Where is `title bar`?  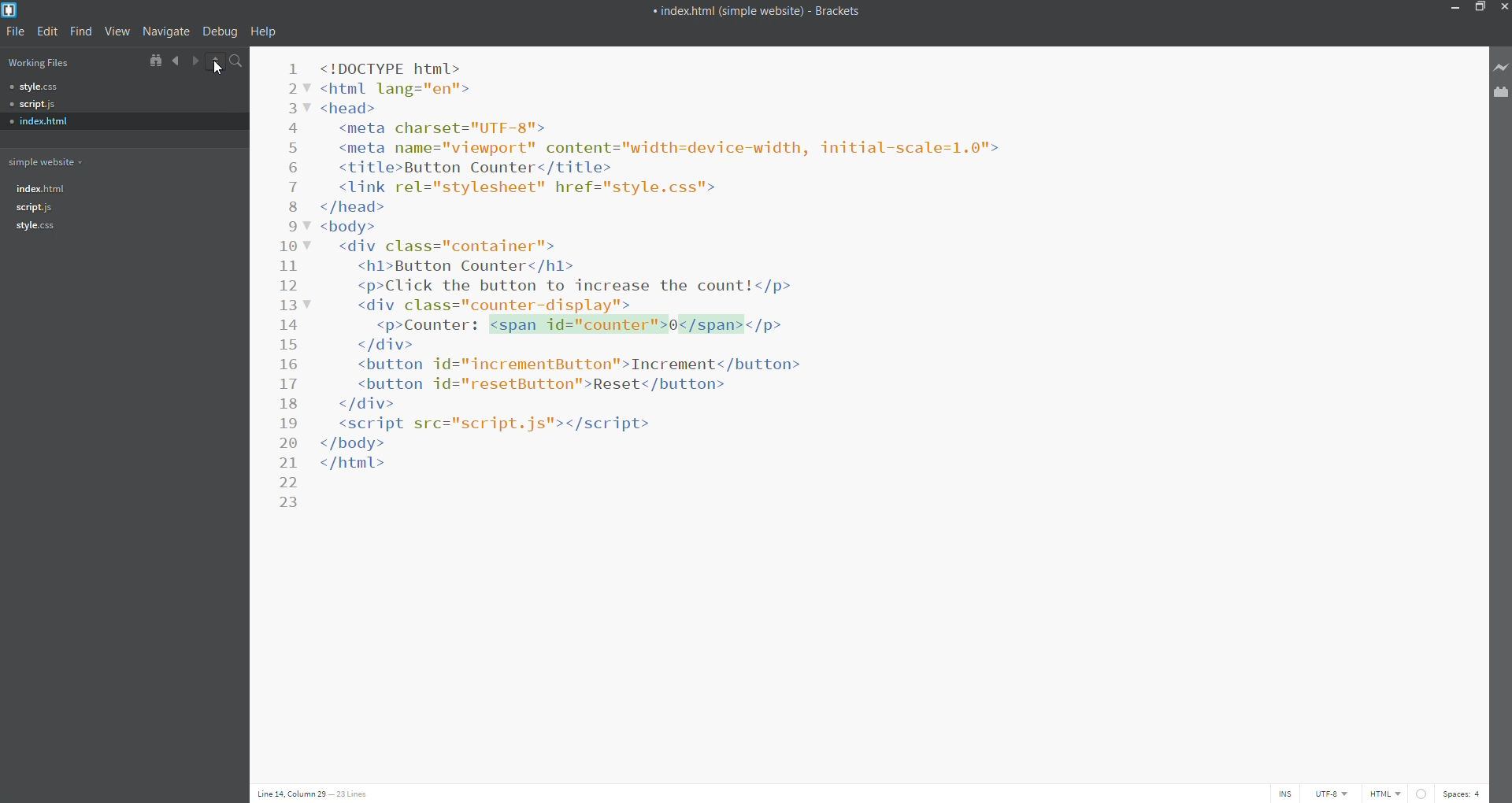 title bar is located at coordinates (717, 8).